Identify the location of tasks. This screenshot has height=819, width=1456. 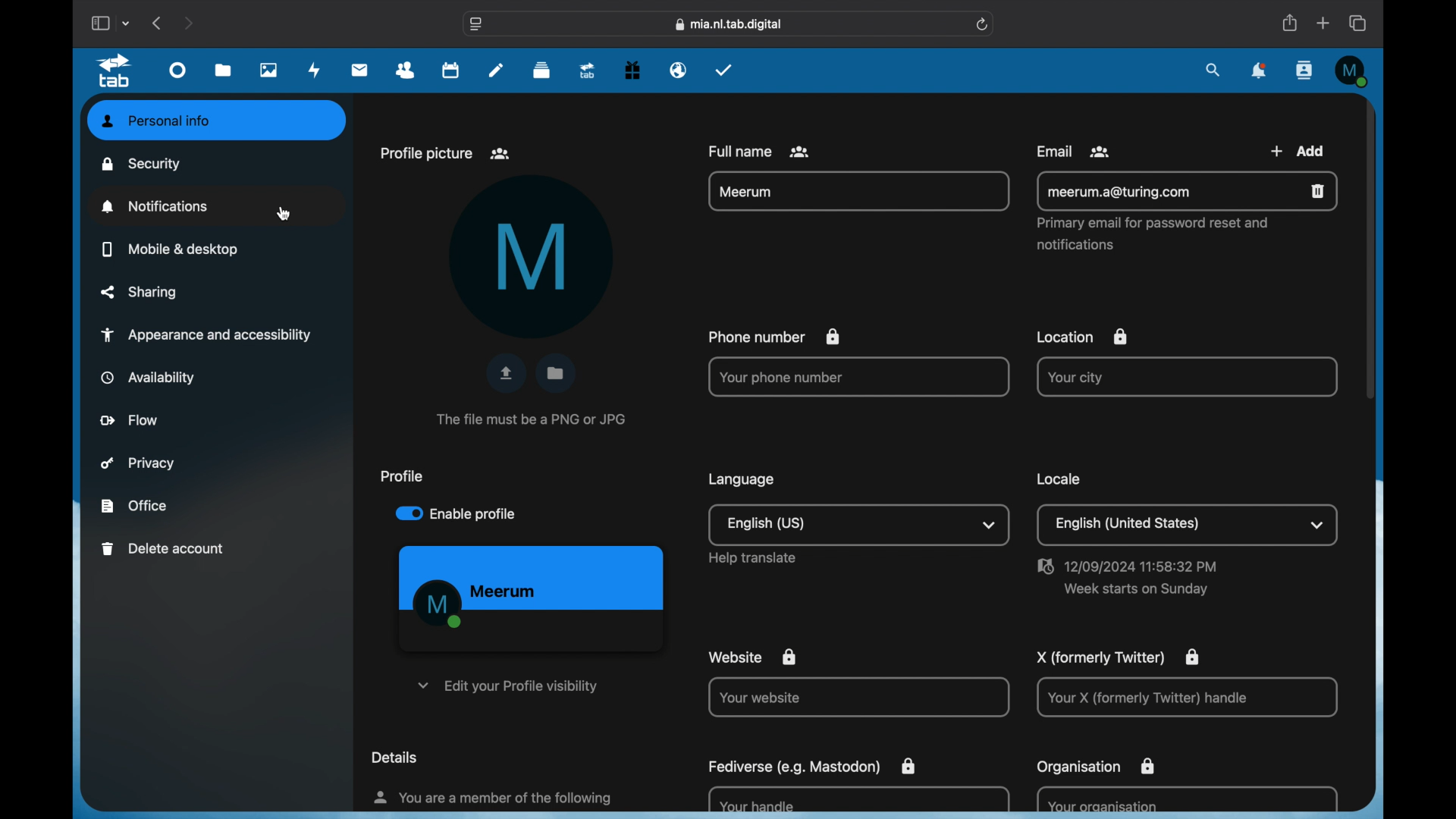
(724, 70).